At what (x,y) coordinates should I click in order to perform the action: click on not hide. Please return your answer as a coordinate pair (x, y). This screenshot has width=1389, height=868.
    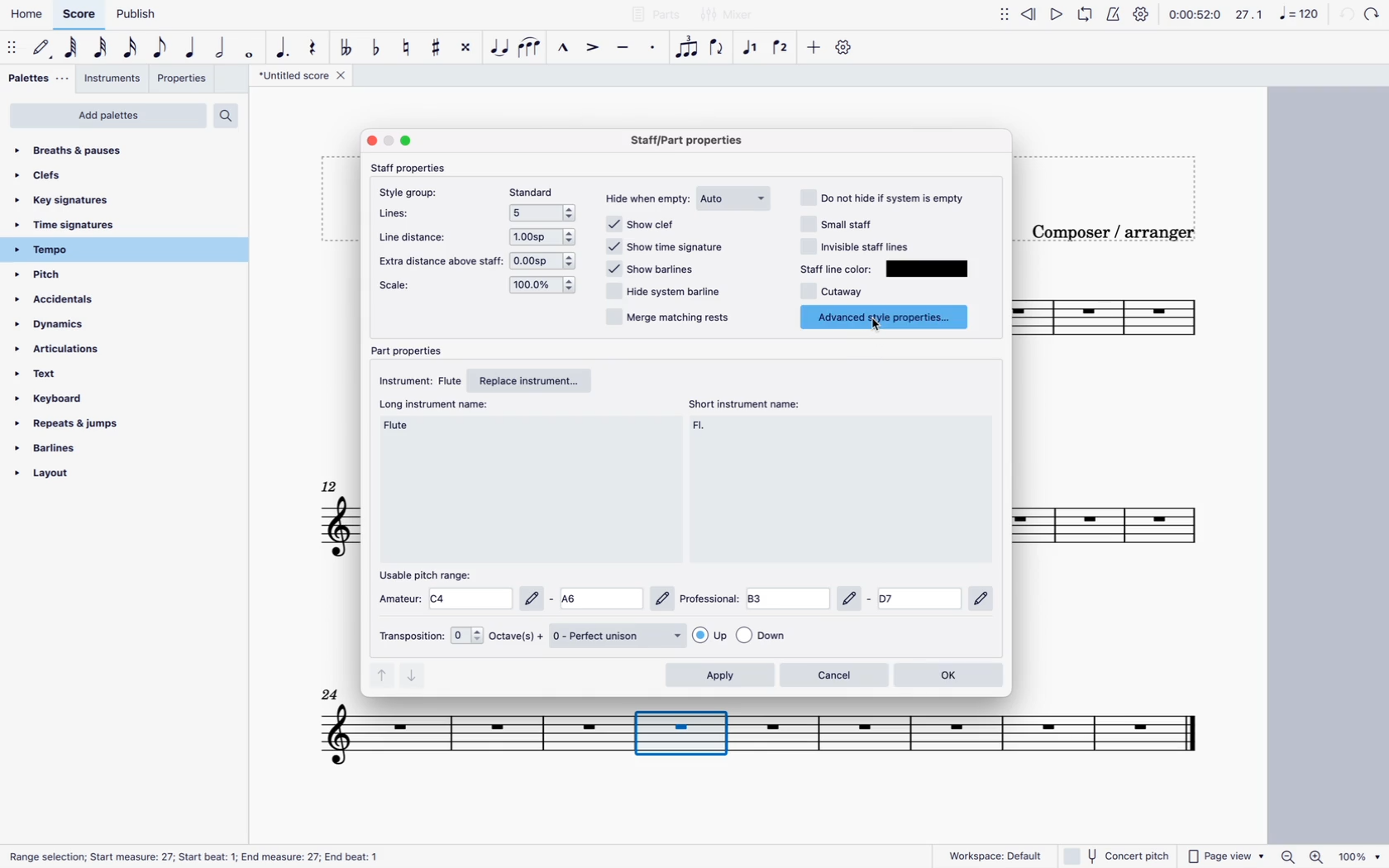
    Looking at the image, I should click on (889, 197).